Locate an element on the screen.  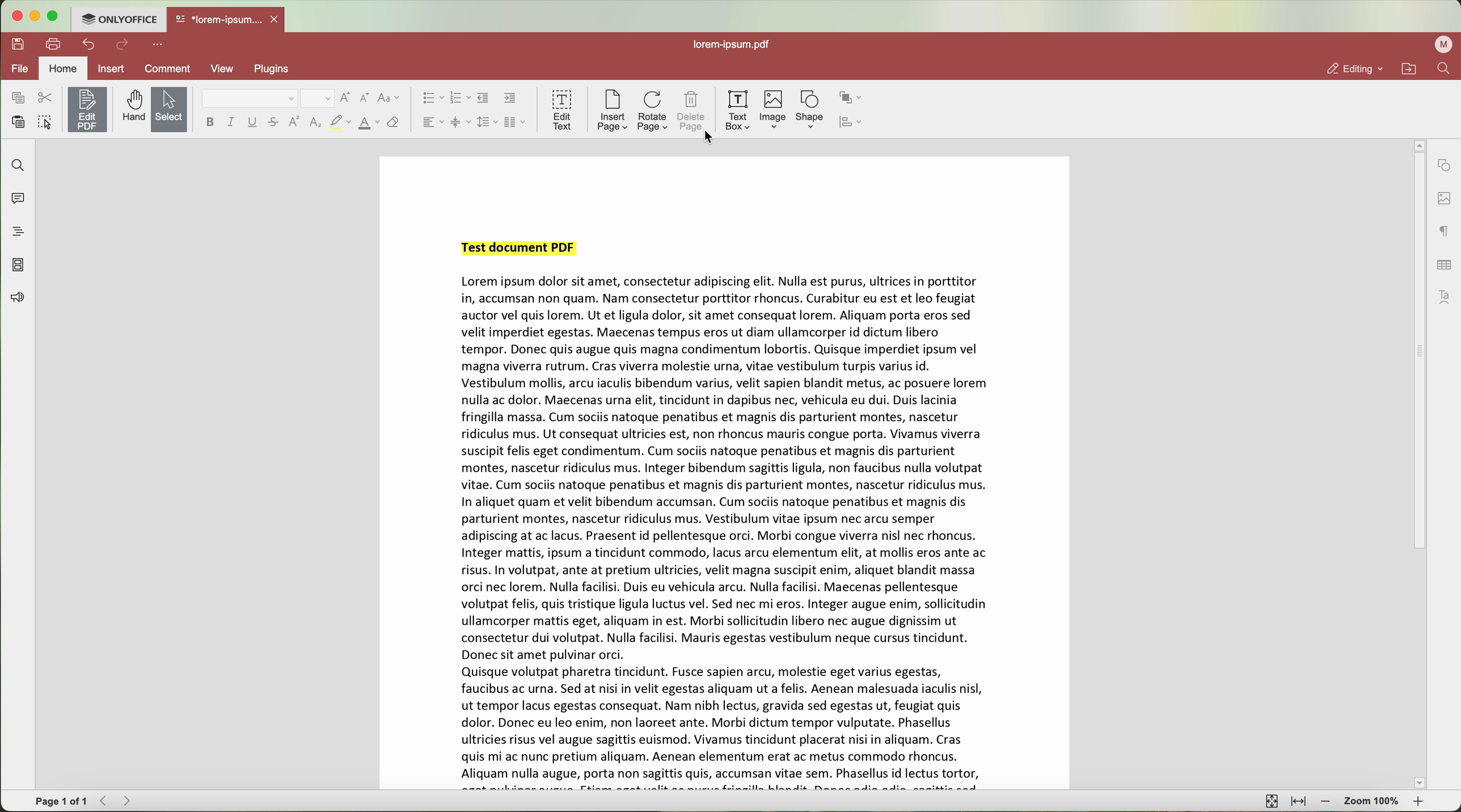
fit to width is located at coordinates (1298, 801).